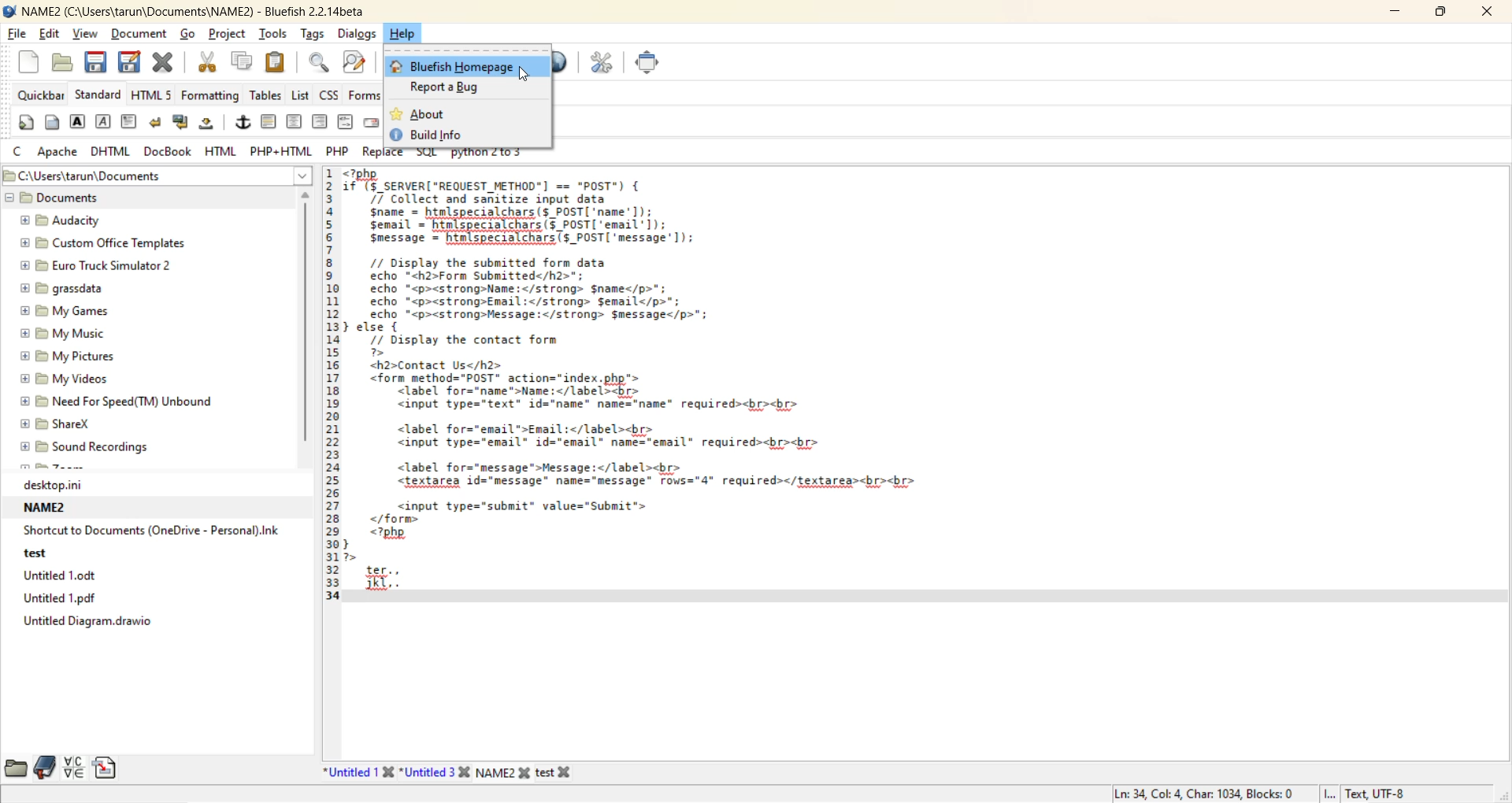  What do you see at coordinates (46, 766) in the screenshot?
I see `bookmarks` at bounding box center [46, 766].